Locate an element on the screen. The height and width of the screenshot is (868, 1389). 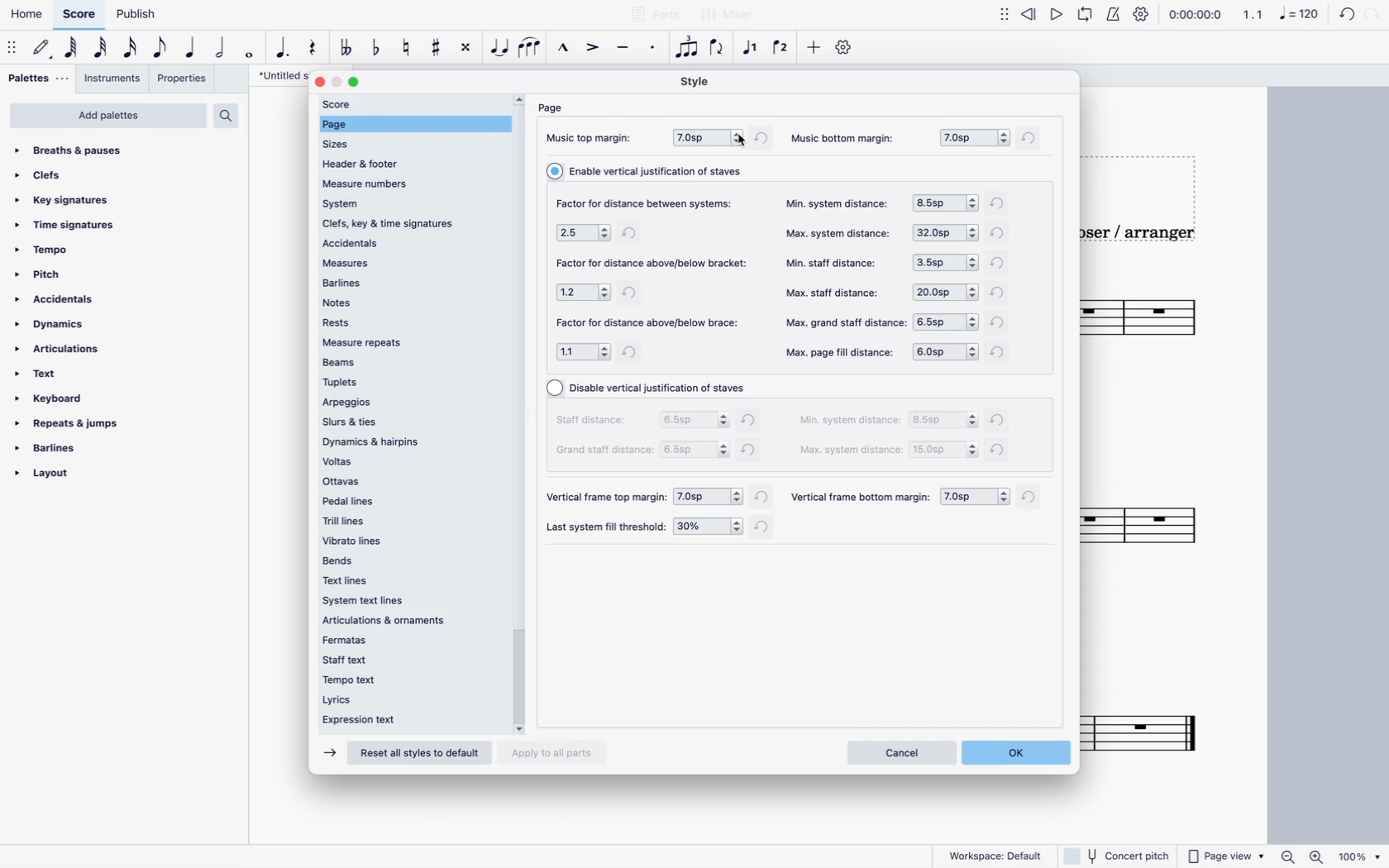
slurs & ties is located at coordinates (408, 422).